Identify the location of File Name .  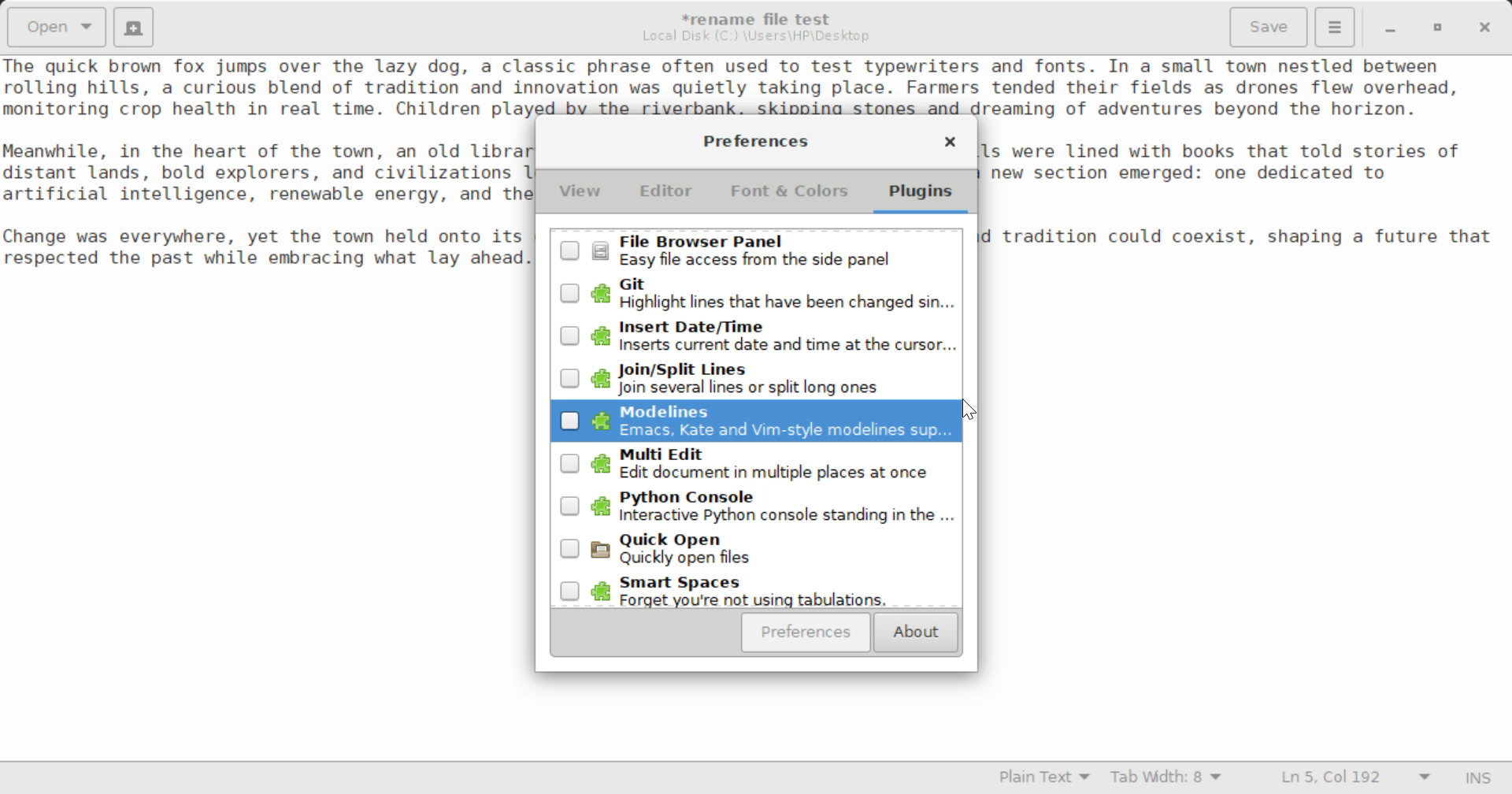
(761, 17).